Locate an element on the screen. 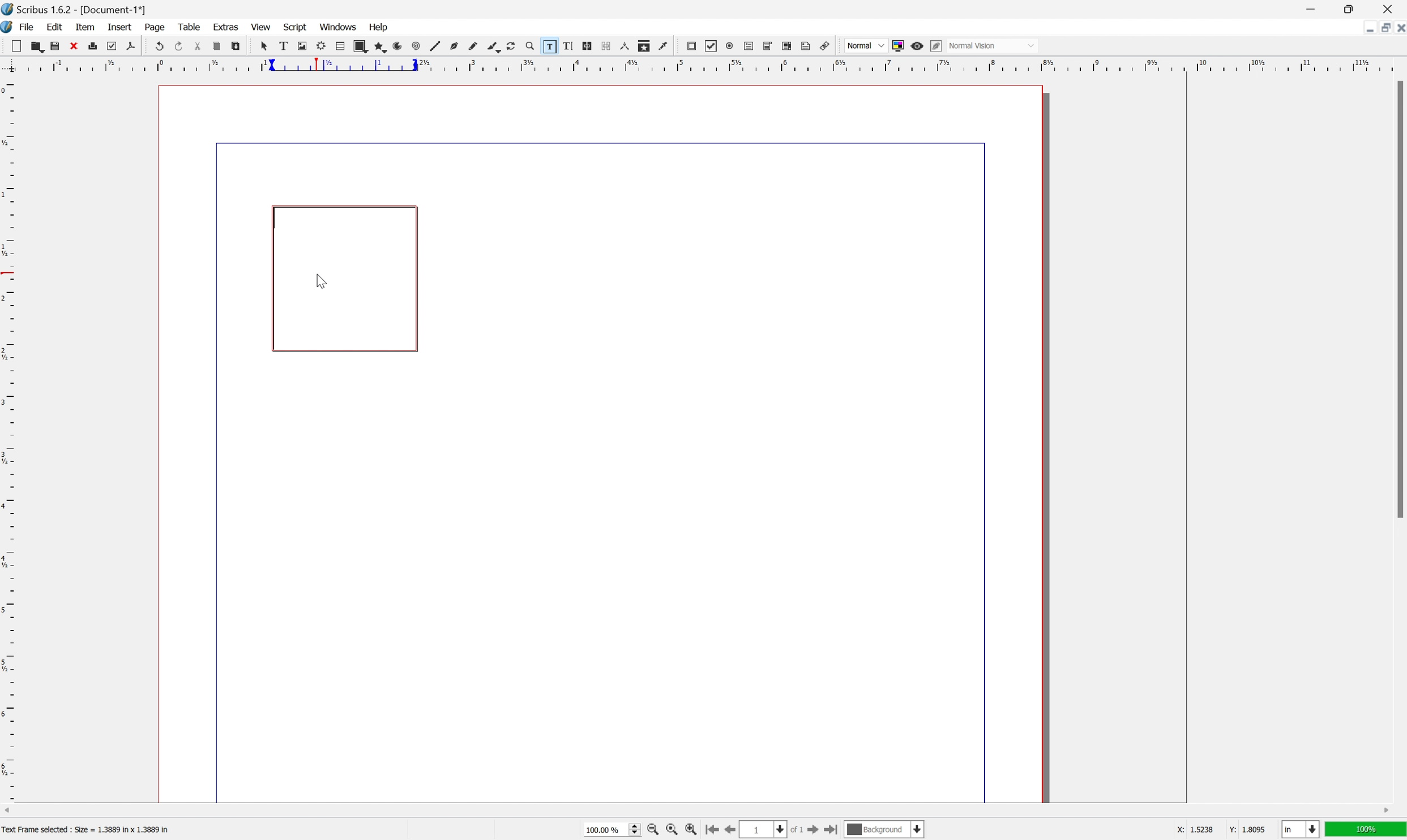 This screenshot has width=1407, height=840. close is located at coordinates (74, 45).